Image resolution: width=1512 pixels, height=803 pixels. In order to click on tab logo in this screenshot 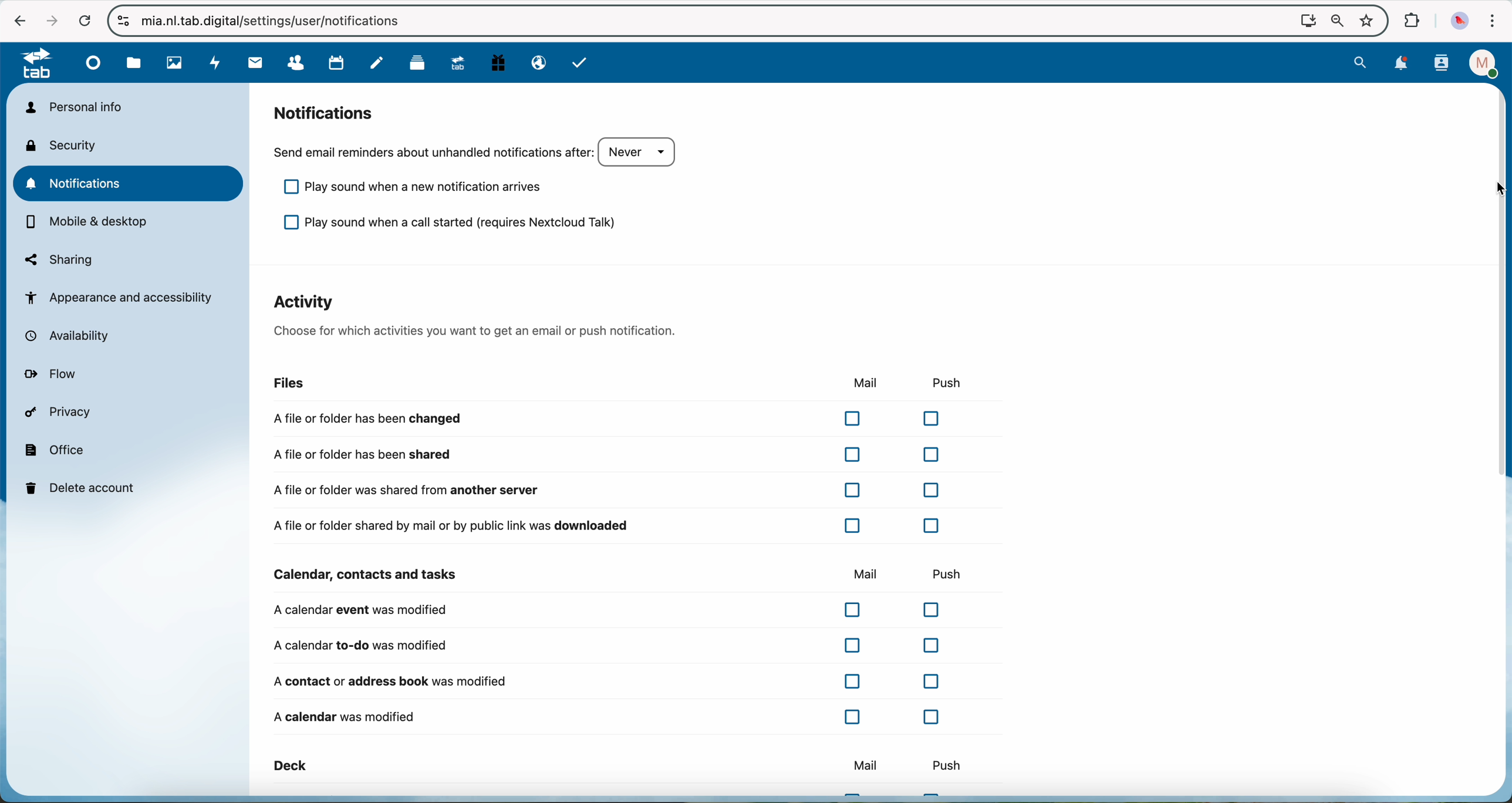, I will do `click(31, 65)`.